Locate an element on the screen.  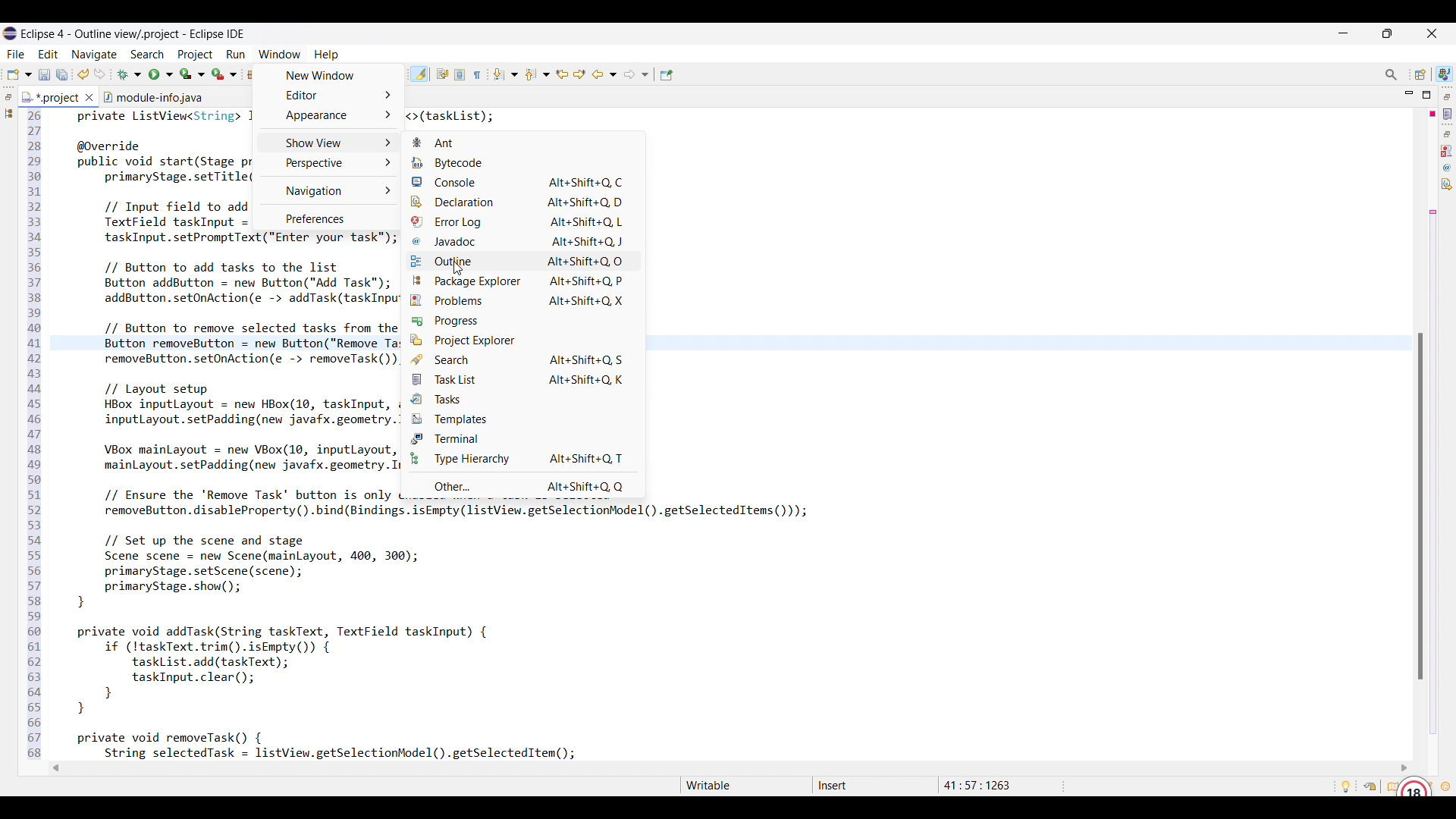
What's new is located at coordinates (1445, 786).